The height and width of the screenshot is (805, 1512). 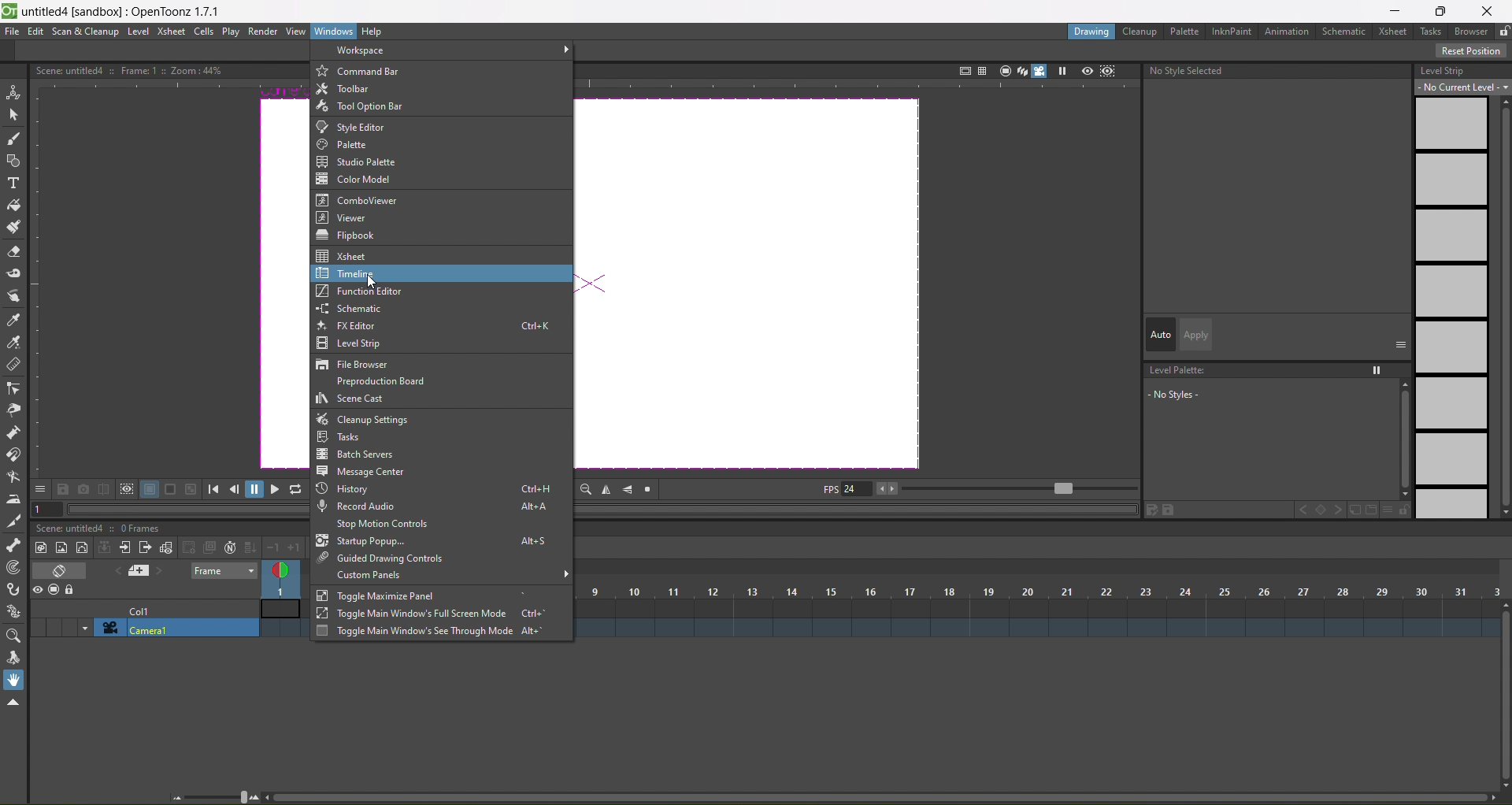 I want to click on text, so click(x=1189, y=71).